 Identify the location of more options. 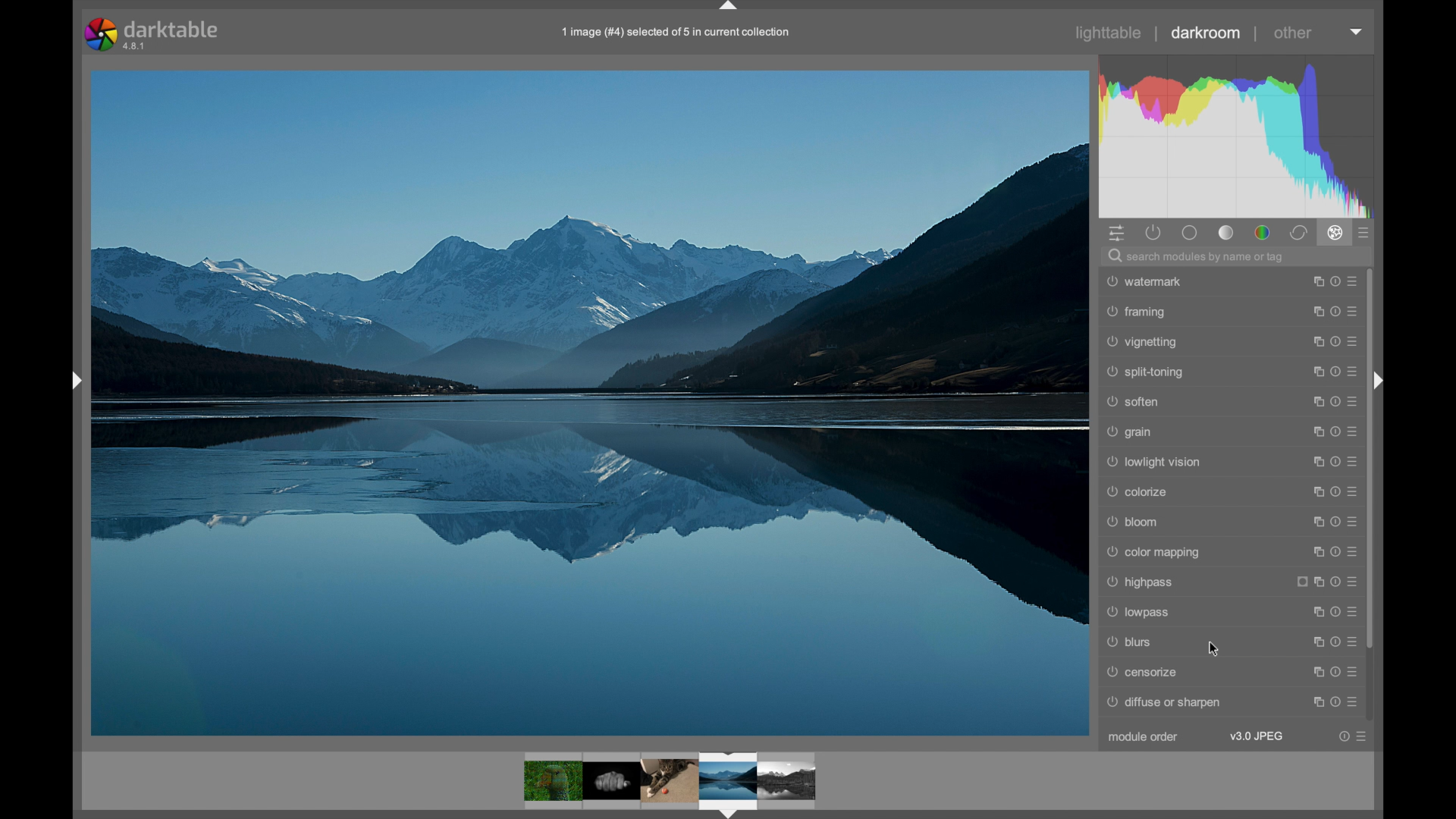
(1352, 432).